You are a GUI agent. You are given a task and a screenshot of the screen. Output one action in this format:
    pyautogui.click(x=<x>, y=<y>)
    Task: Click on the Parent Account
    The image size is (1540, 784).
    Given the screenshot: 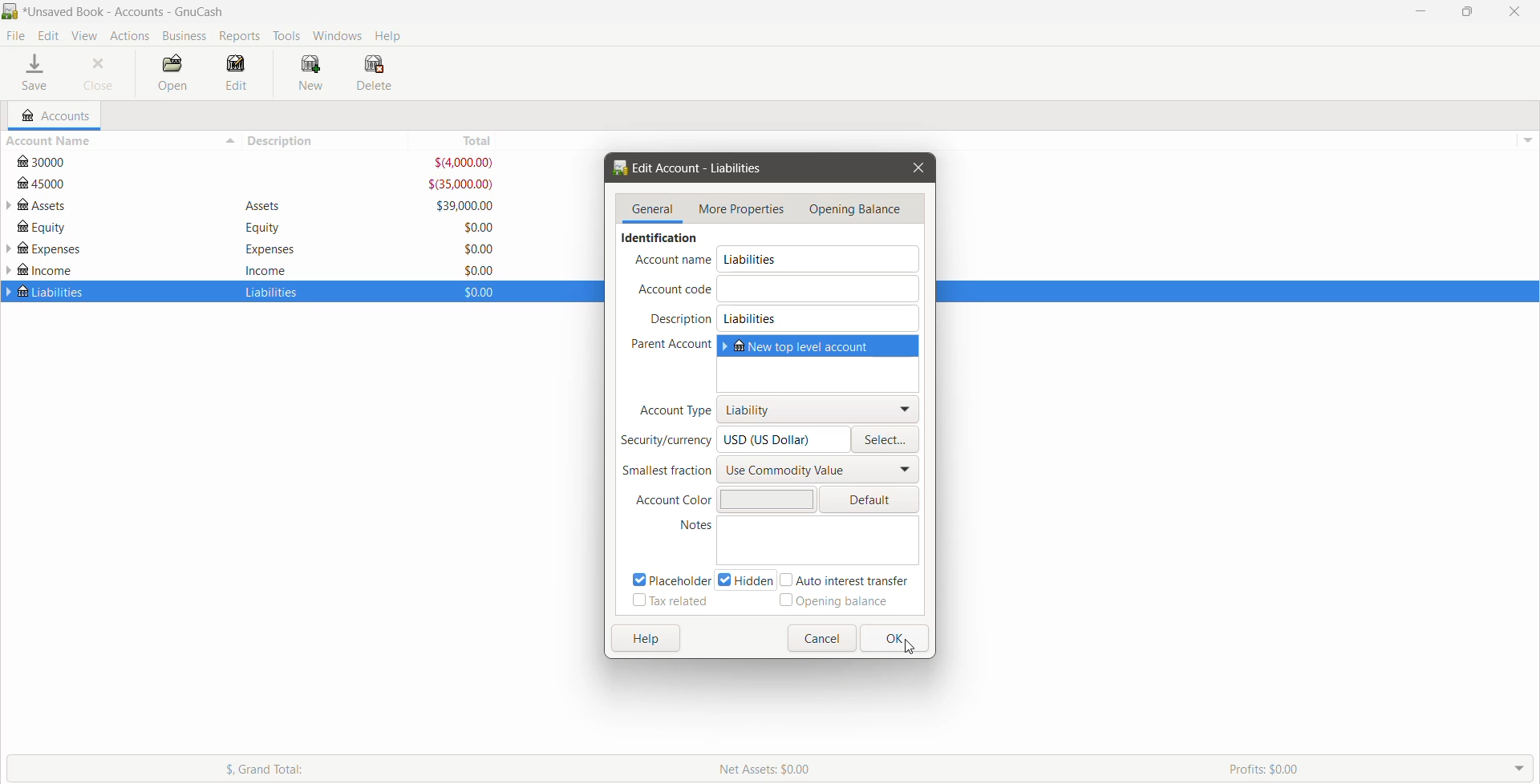 What is the action you would take?
    pyautogui.click(x=666, y=345)
    